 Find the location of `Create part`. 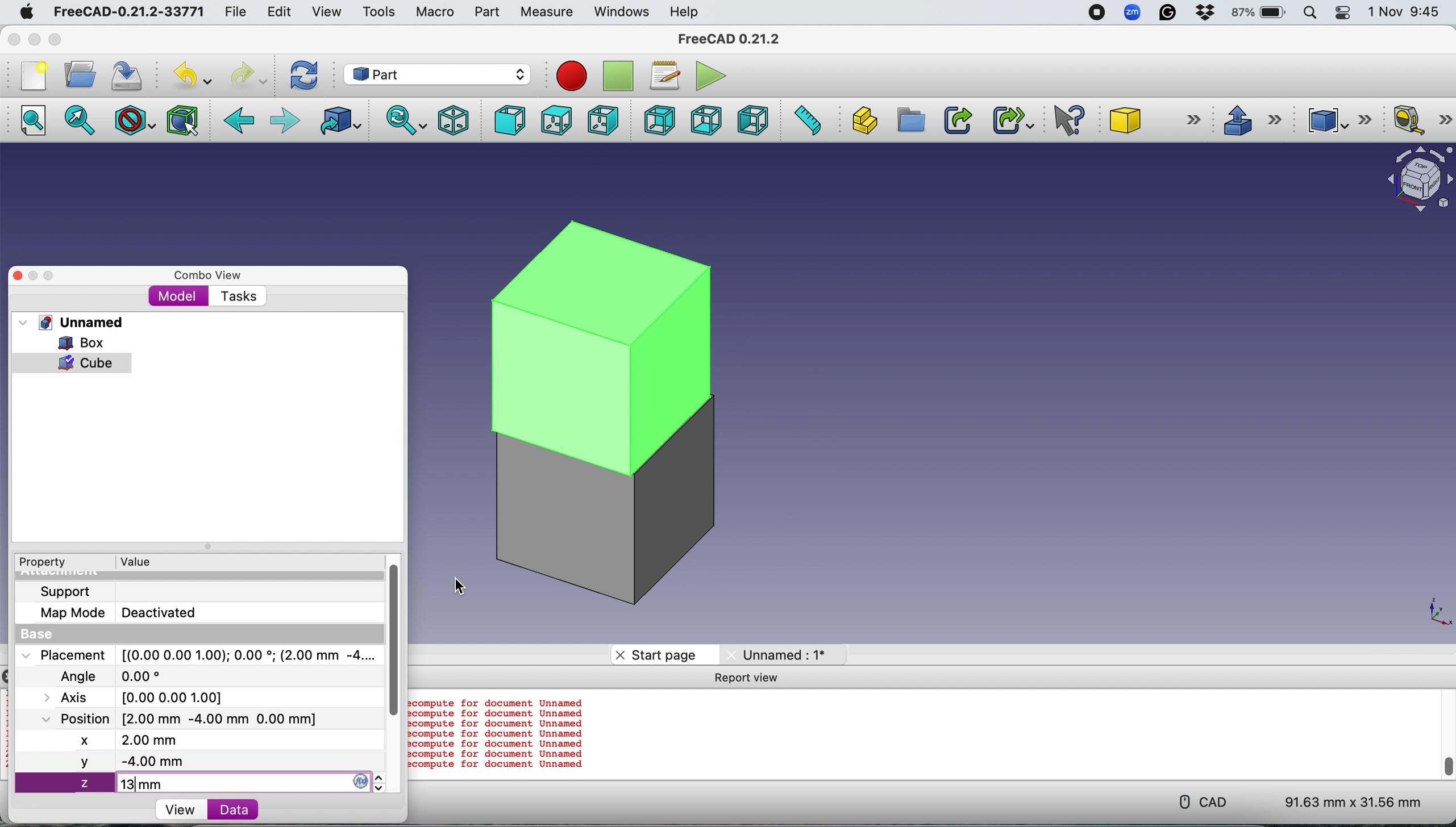

Create part is located at coordinates (861, 120).